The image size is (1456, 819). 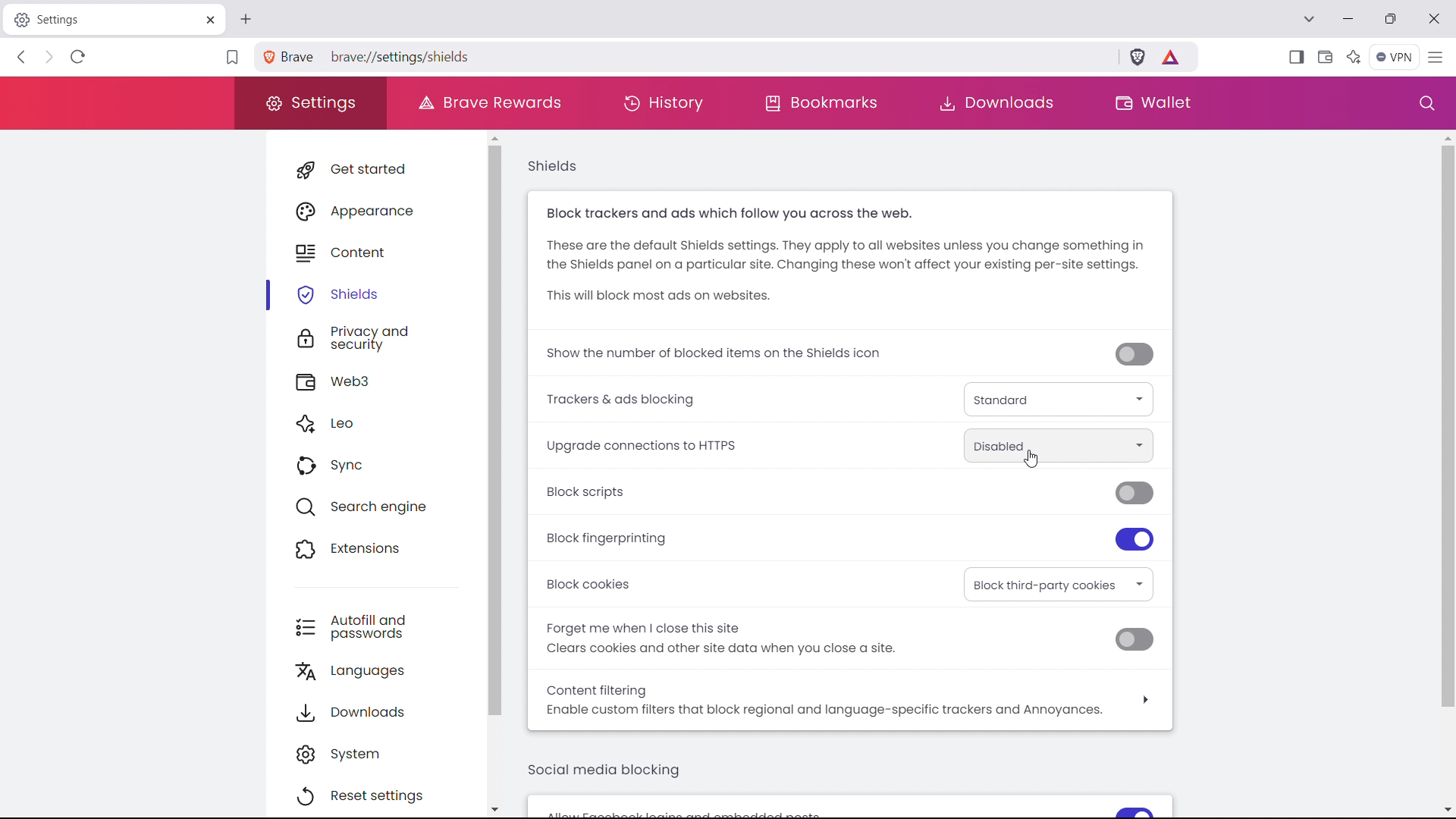 I want to click on scroll up, so click(x=1445, y=136).